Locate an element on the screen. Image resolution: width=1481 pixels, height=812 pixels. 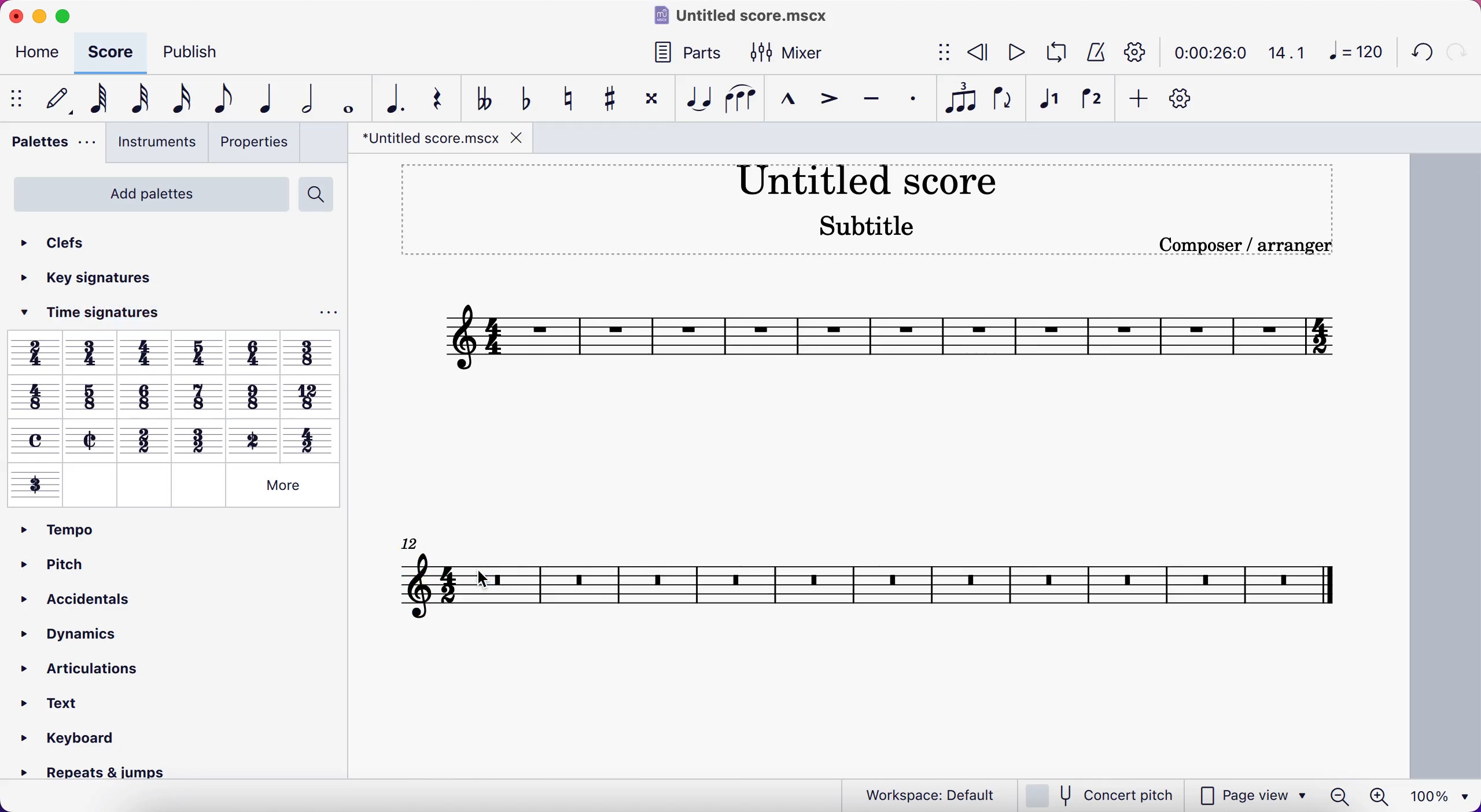
minimize is located at coordinates (40, 19).